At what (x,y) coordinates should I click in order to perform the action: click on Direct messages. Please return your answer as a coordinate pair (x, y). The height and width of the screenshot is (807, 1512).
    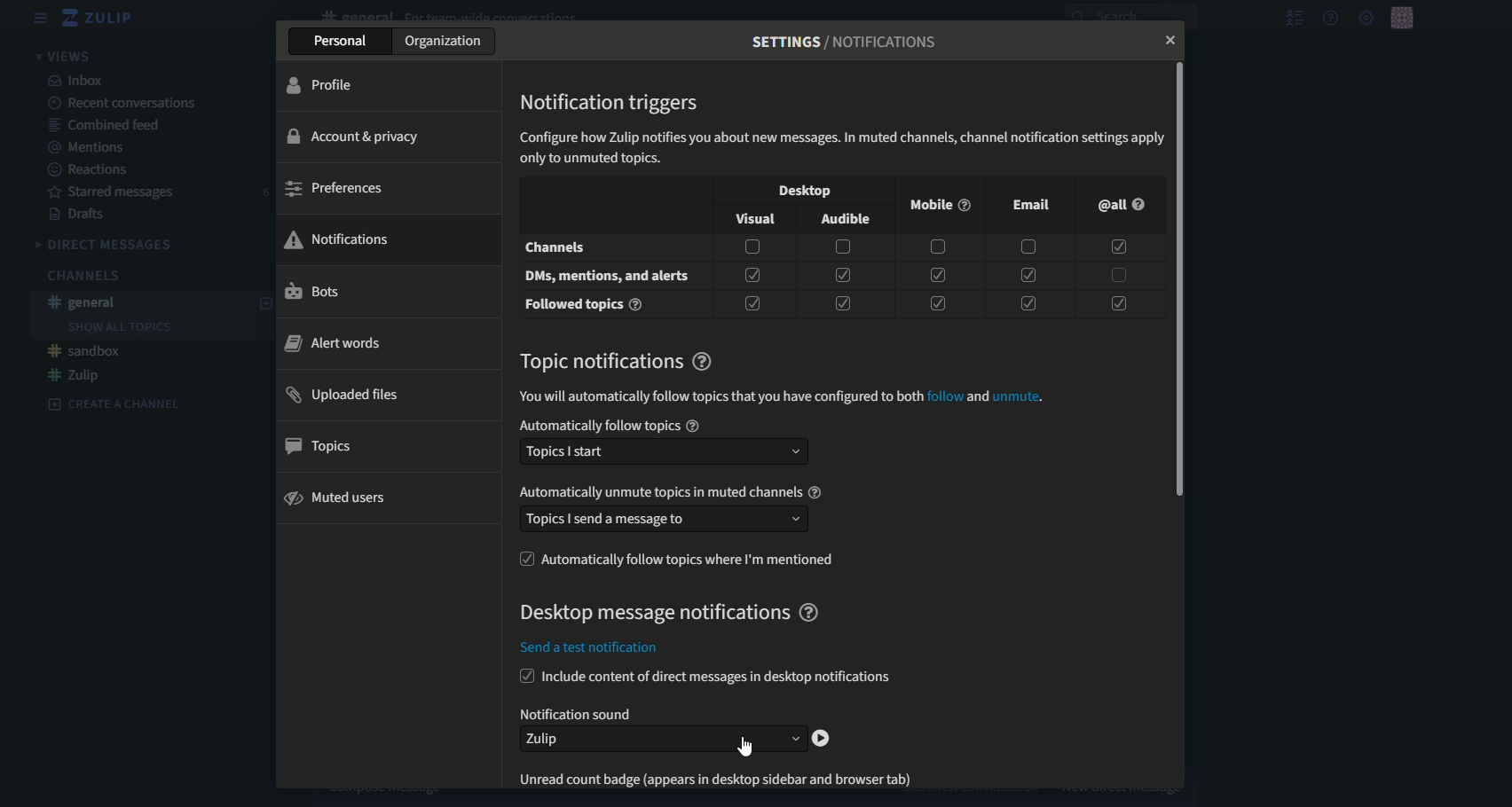
    Looking at the image, I should click on (106, 245).